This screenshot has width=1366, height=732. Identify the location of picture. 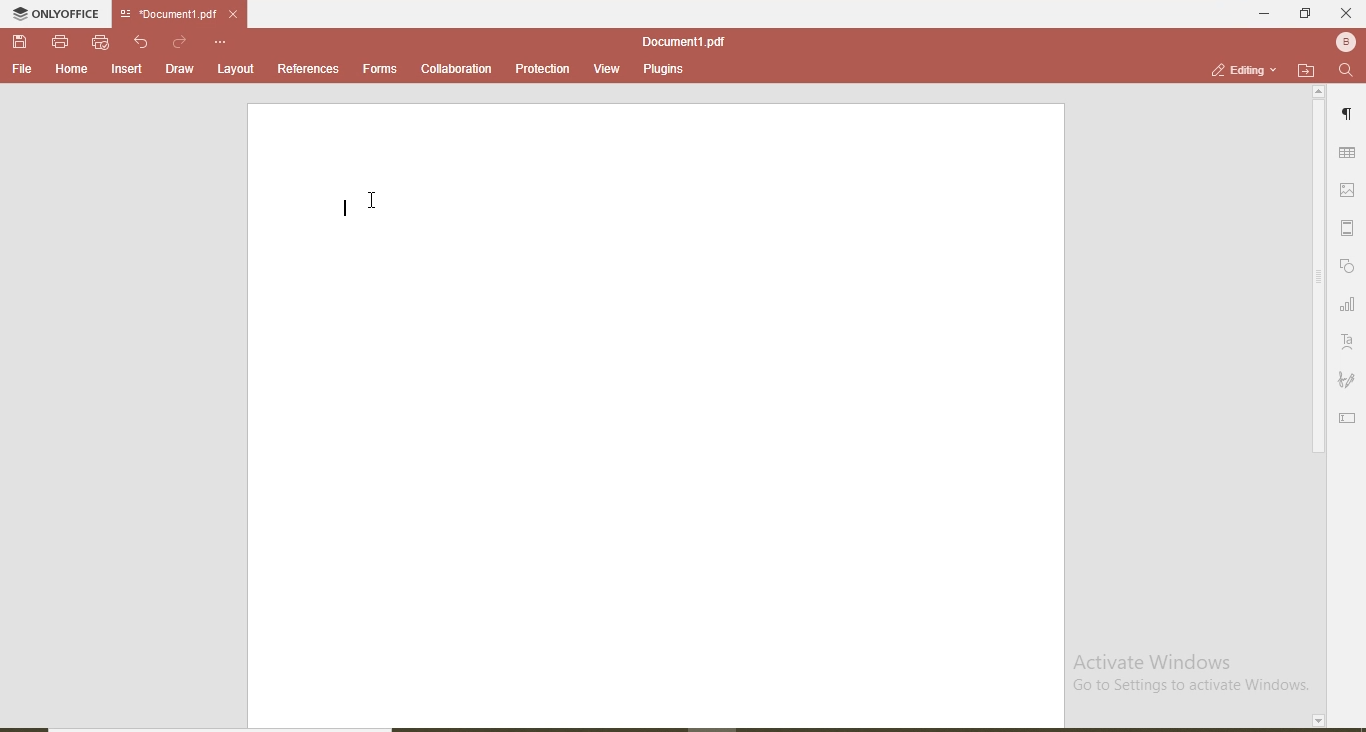
(1351, 189).